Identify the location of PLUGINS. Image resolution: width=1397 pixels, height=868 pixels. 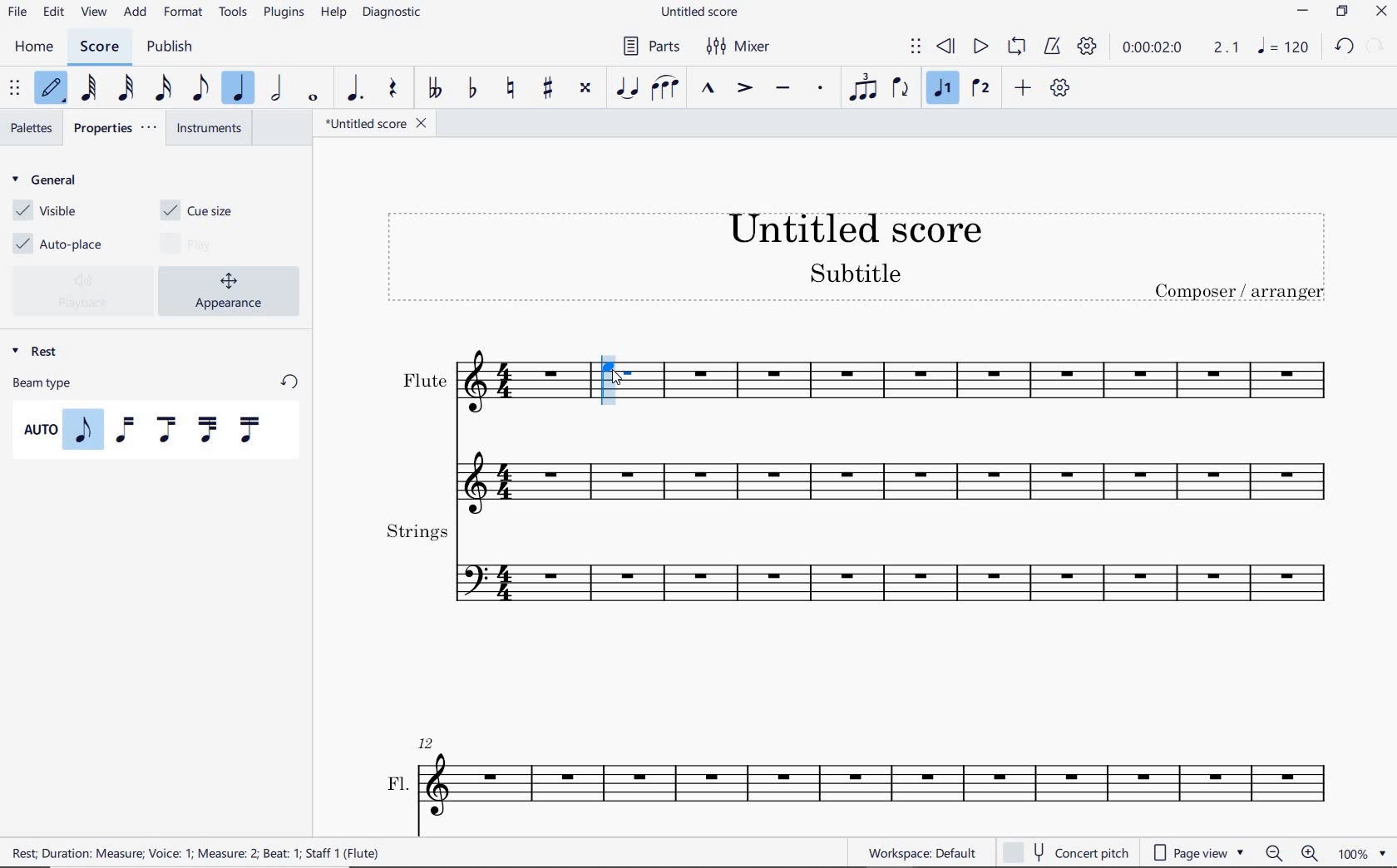
(285, 13).